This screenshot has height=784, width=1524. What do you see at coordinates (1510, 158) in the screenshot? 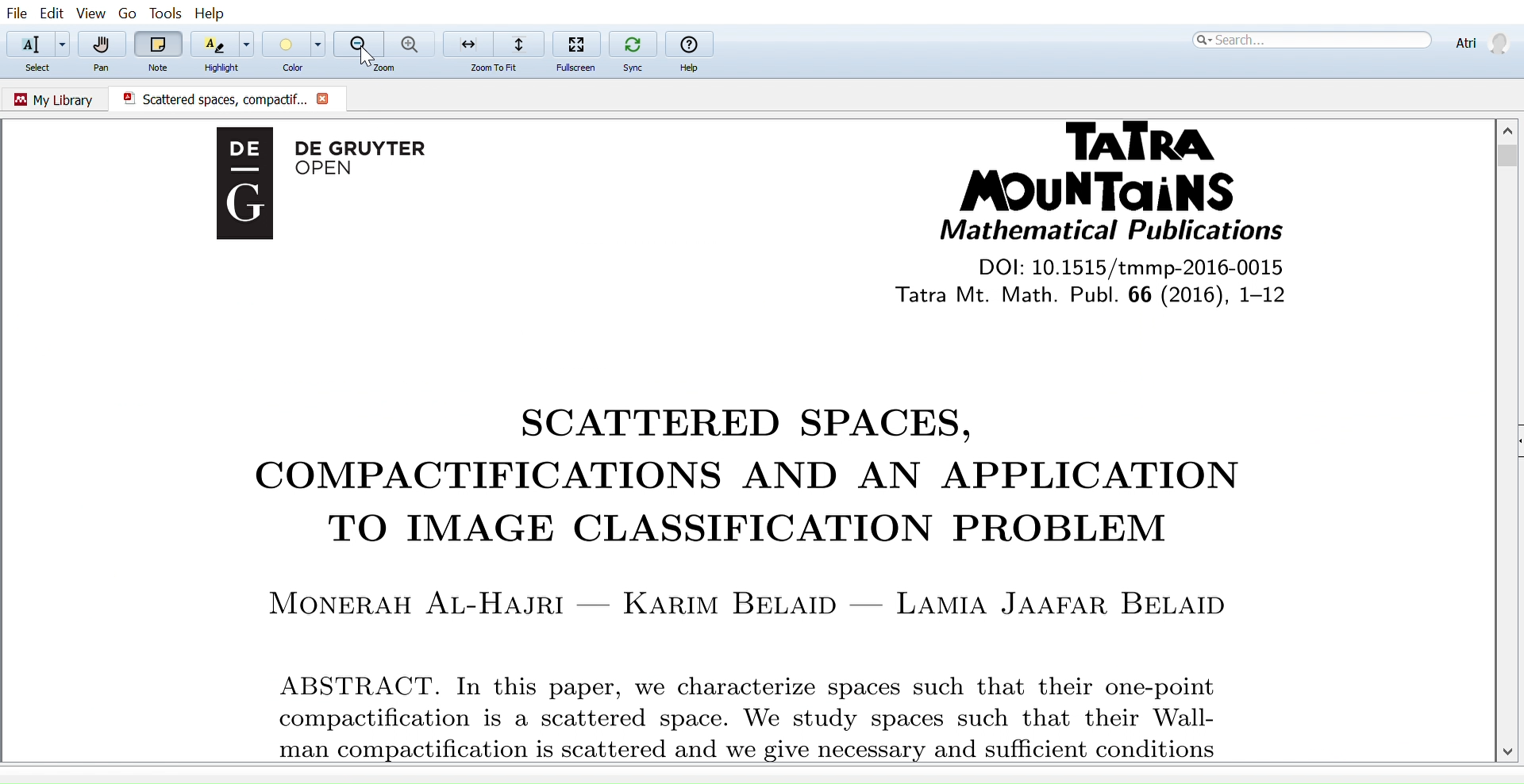
I see `Vertical scrollbar` at bounding box center [1510, 158].